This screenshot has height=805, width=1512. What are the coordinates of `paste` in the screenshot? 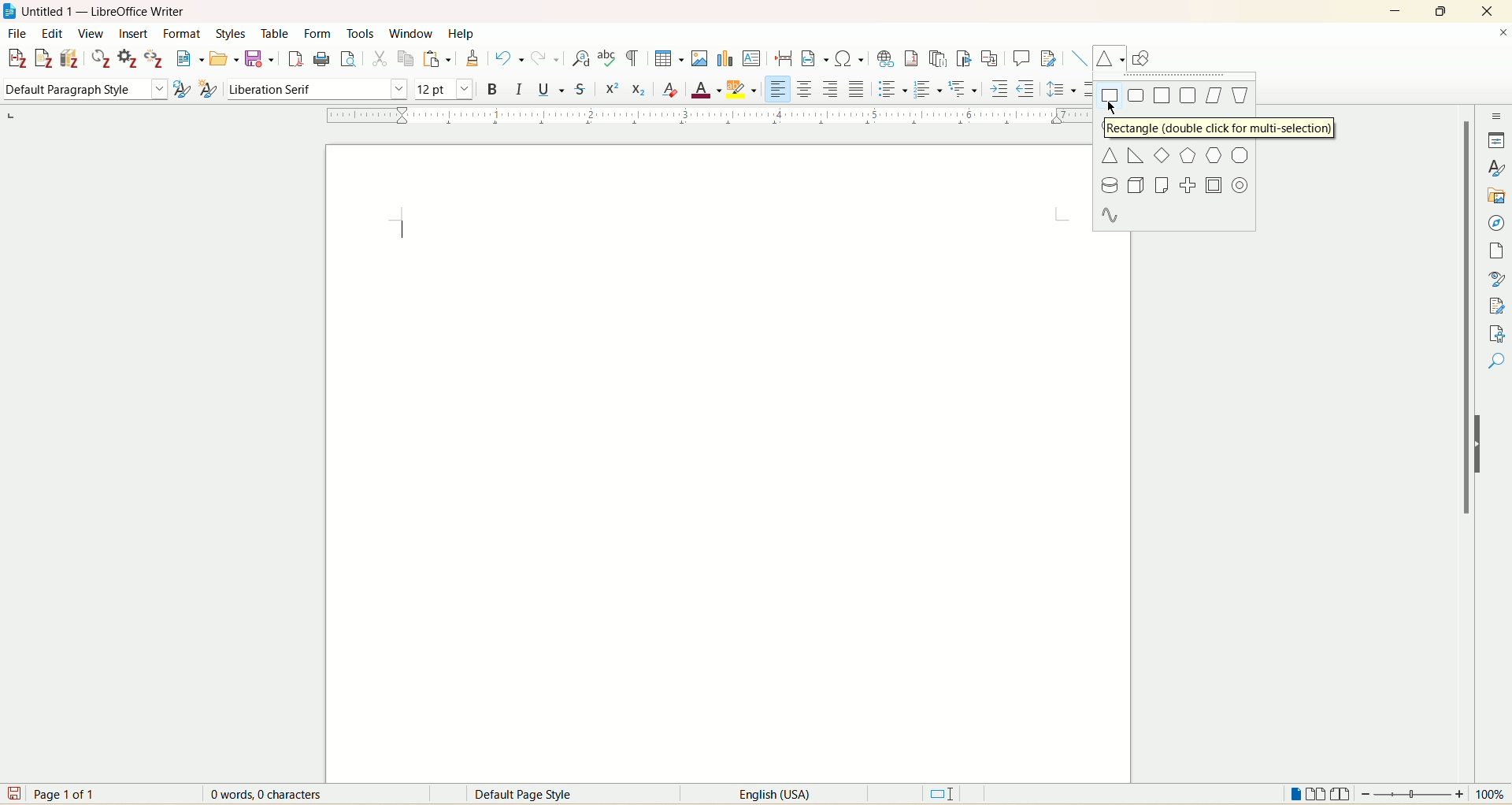 It's located at (437, 59).